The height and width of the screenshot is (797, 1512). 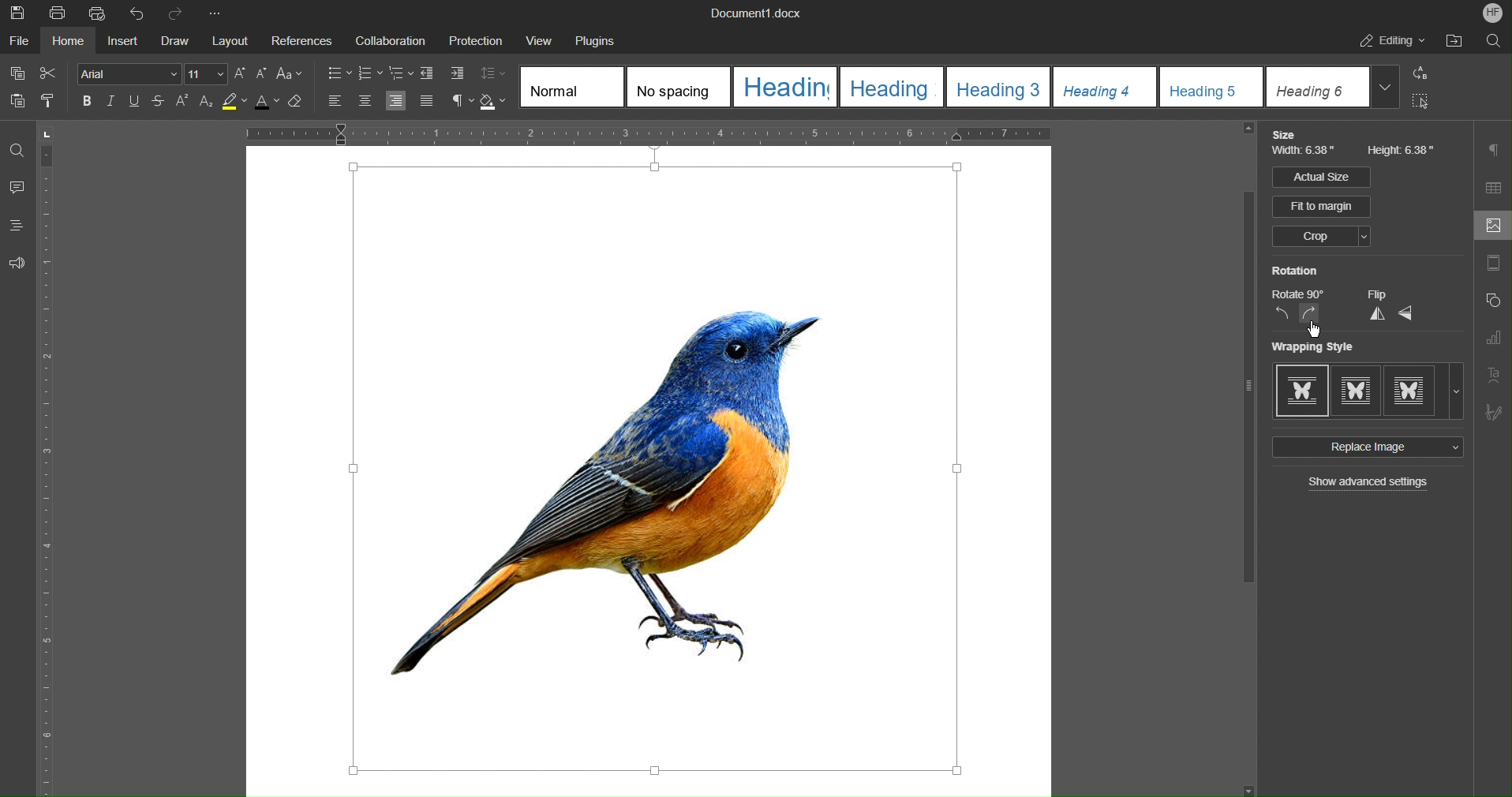 I want to click on Wrapping Style, so click(x=1311, y=346).